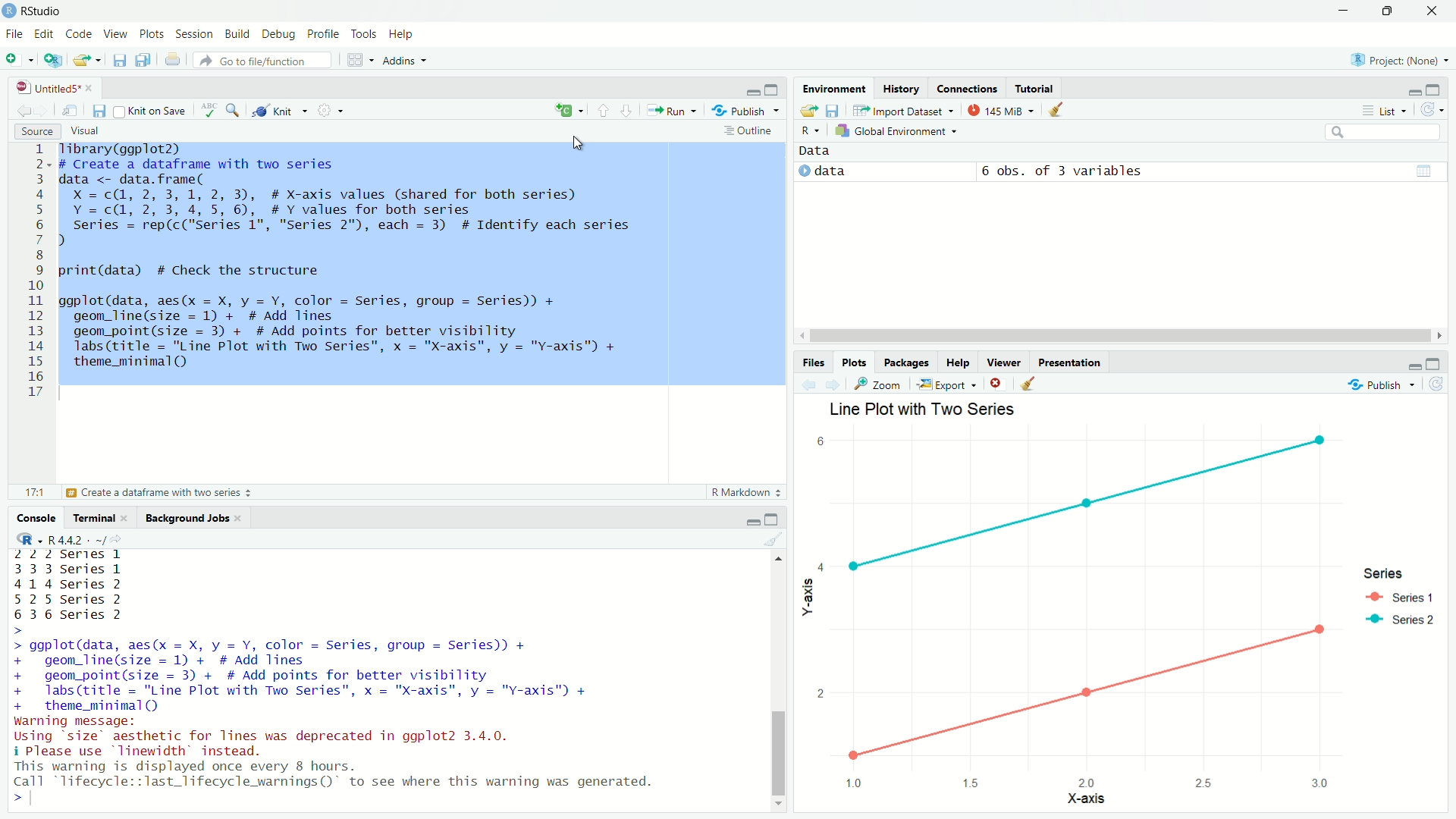  What do you see at coordinates (279, 36) in the screenshot?
I see `Debug` at bounding box center [279, 36].